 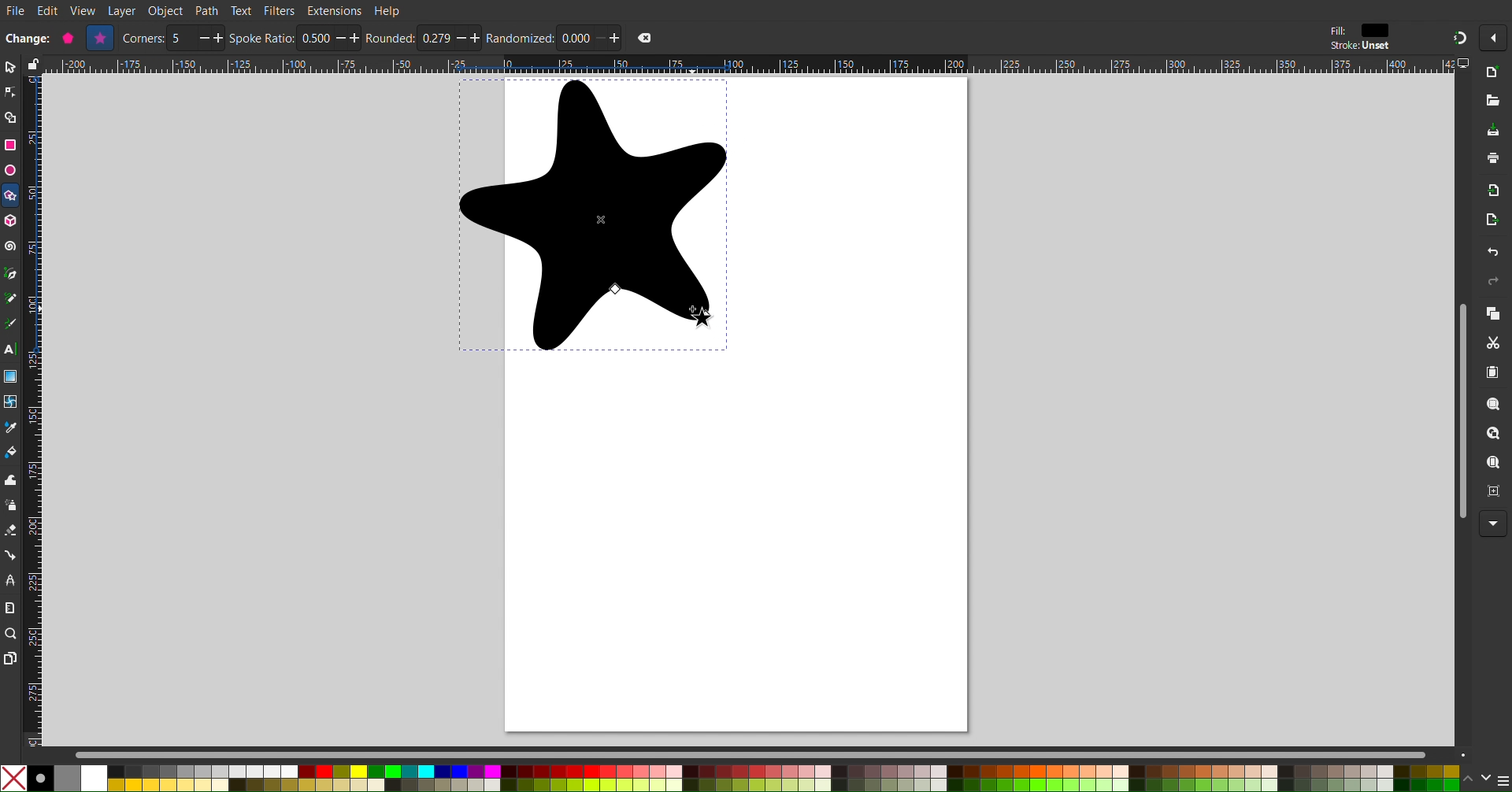 I want to click on Stroke: Unset, so click(x=1359, y=46).